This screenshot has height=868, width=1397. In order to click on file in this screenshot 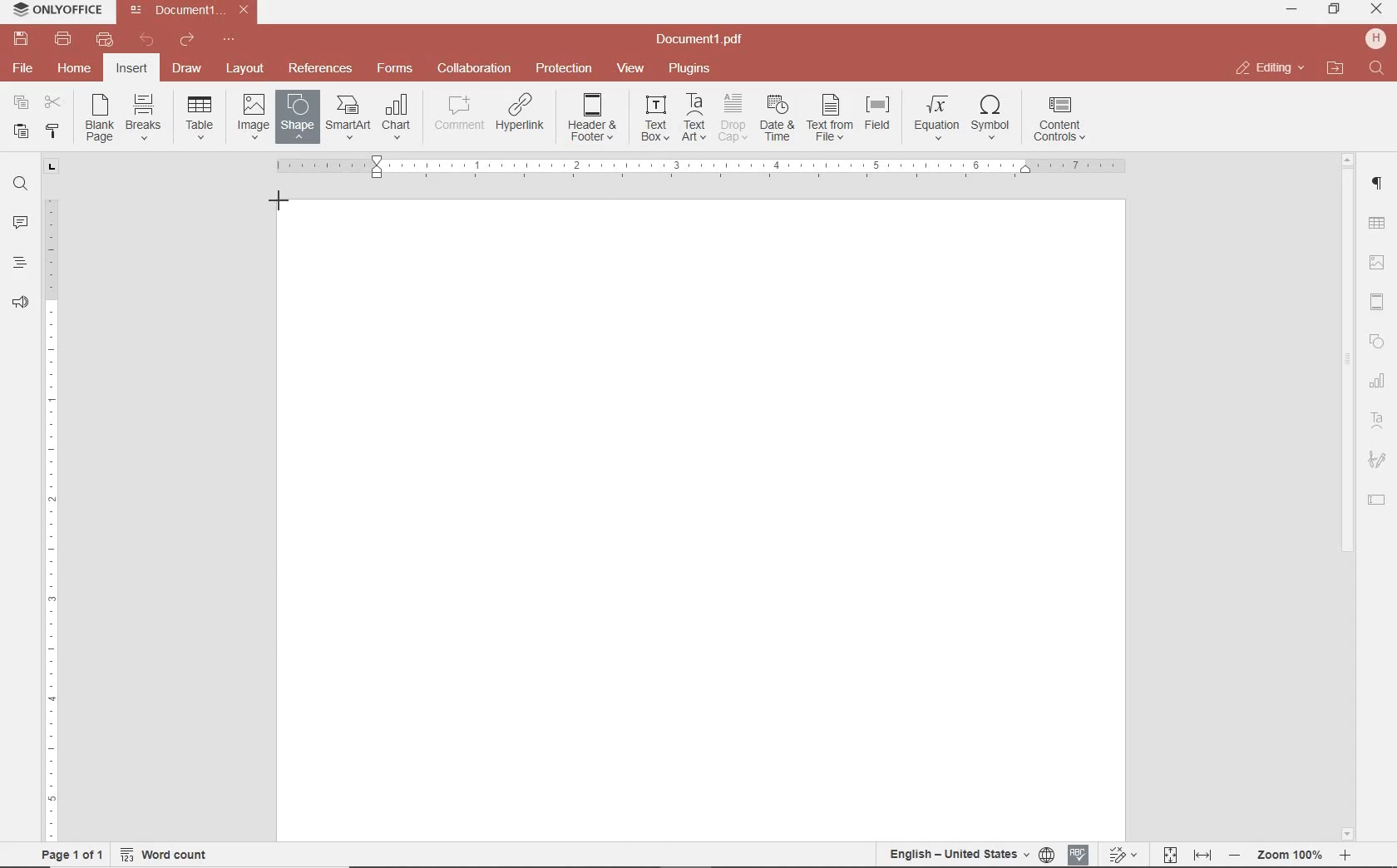, I will do `click(24, 68)`.